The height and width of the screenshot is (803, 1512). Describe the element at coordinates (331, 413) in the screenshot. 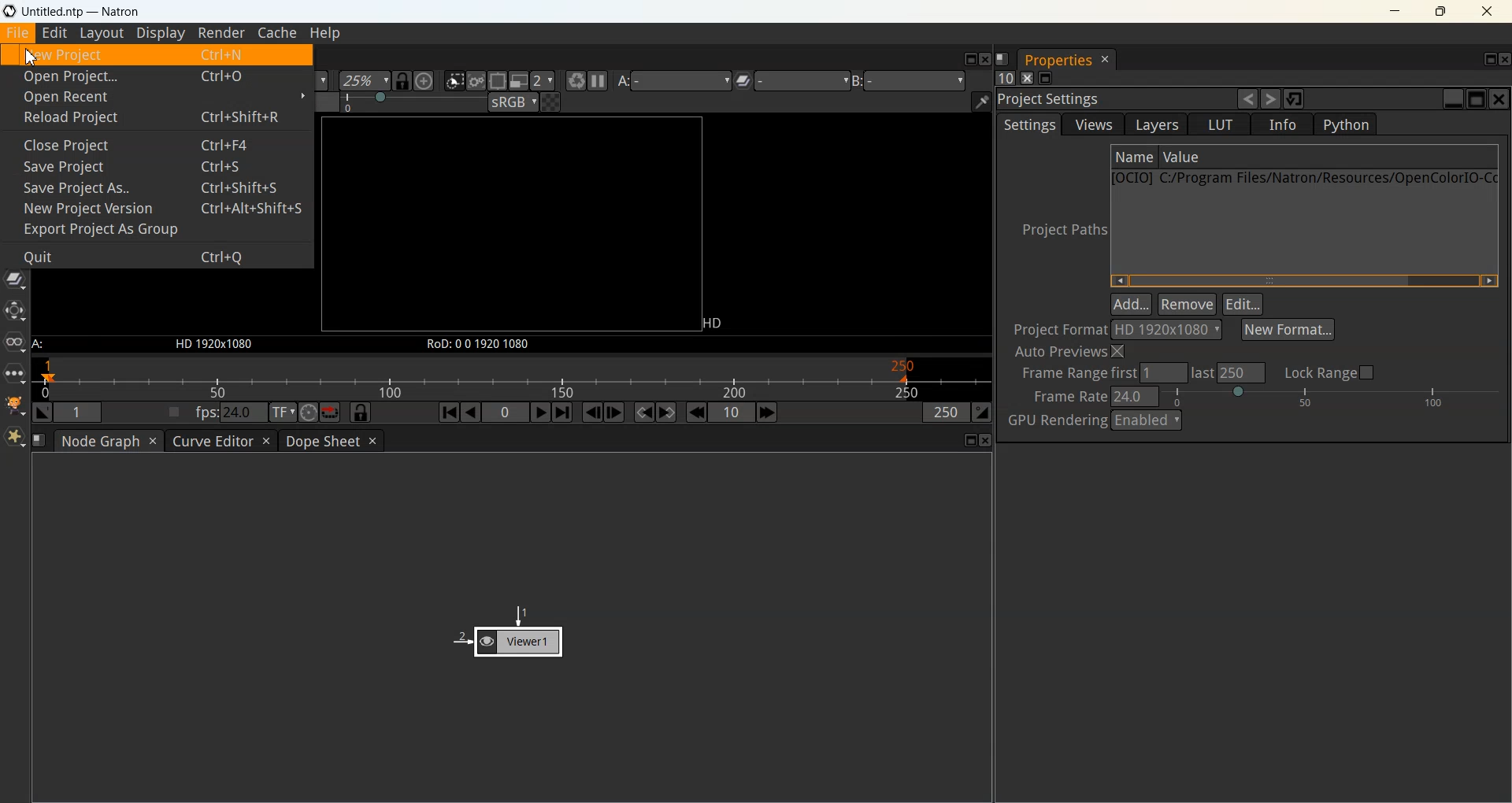

I see `Loop, bounce or stop ` at that location.